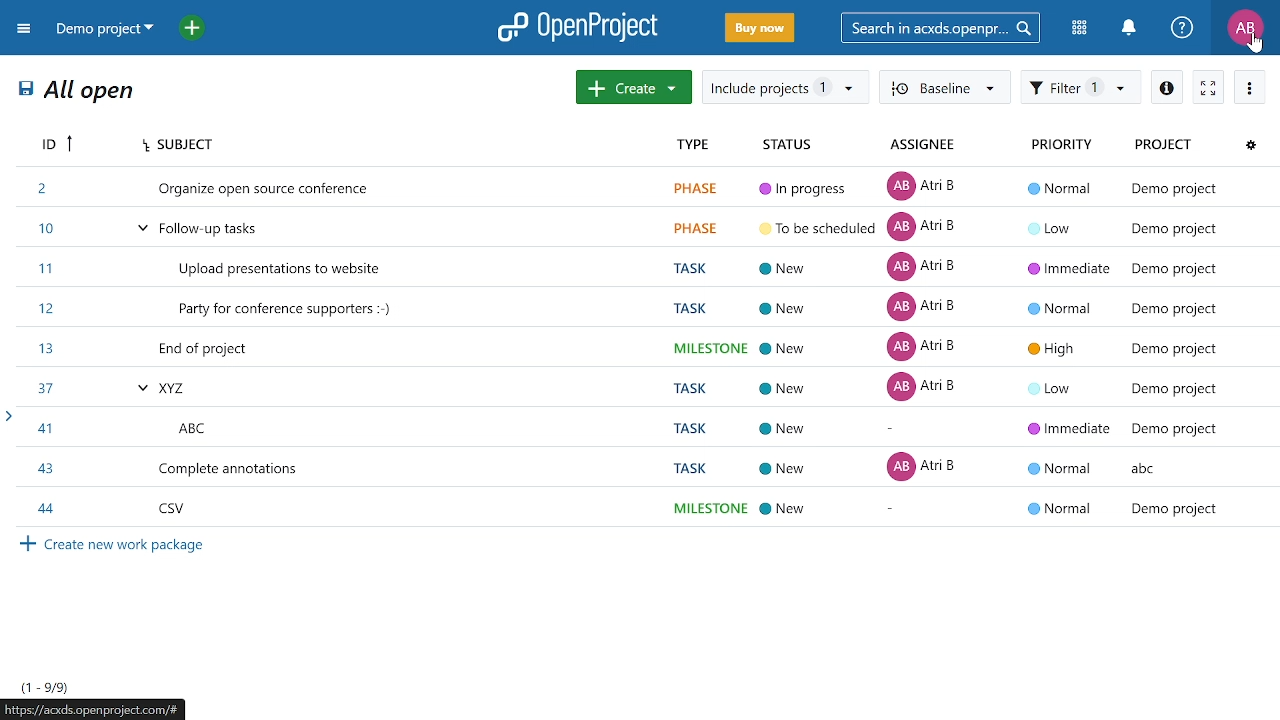  I want to click on type, so click(702, 145).